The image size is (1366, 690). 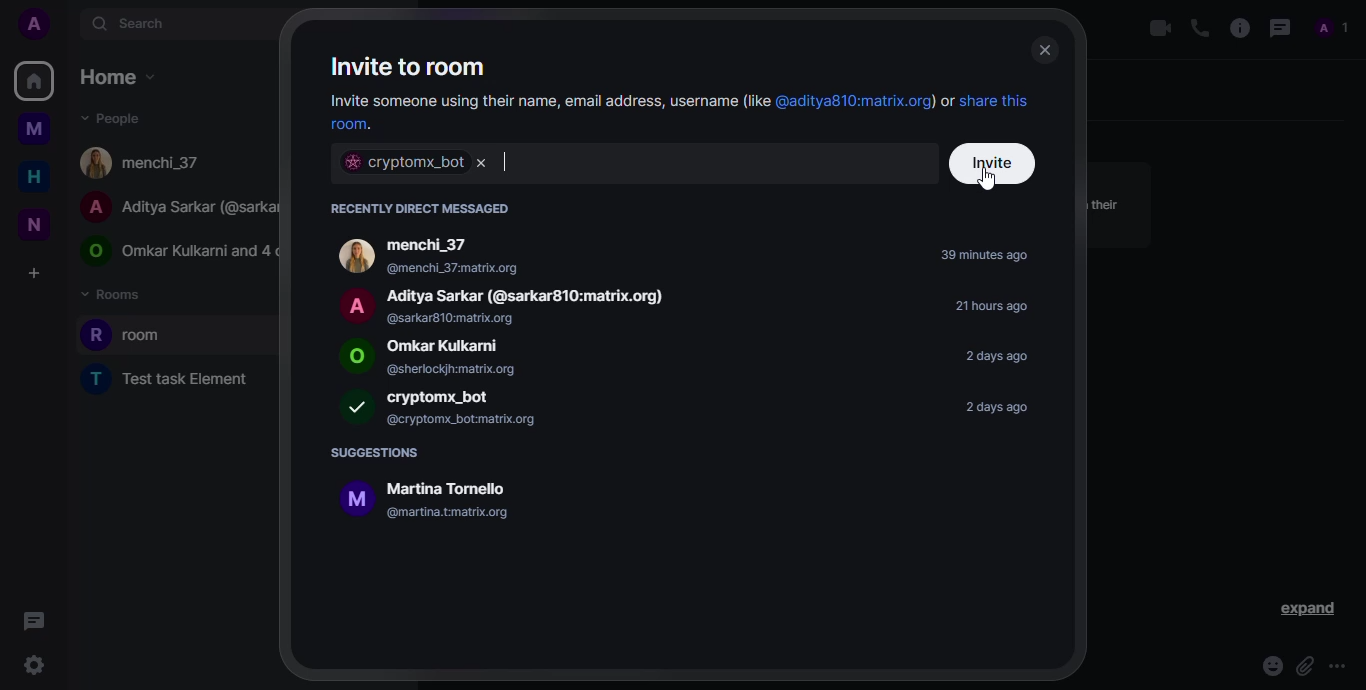 What do you see at coordinates (998, 408) in the screenshot?
I see `2 days ago` at bounding box center [998, 408].